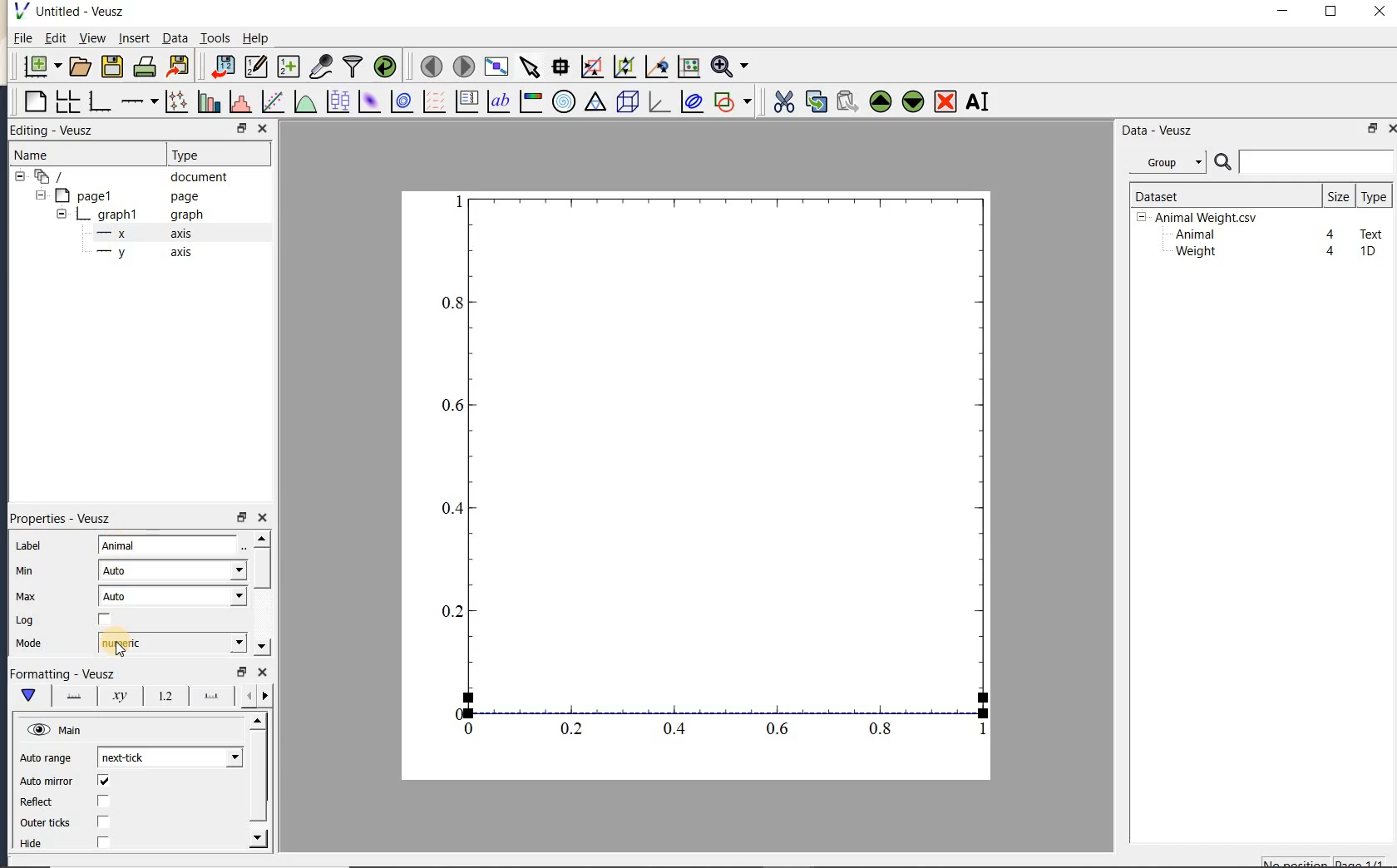  What do you see at coordinates (272, 101) in the screenshot?
I see `fit a function to data` at bounding box center [272, 101].